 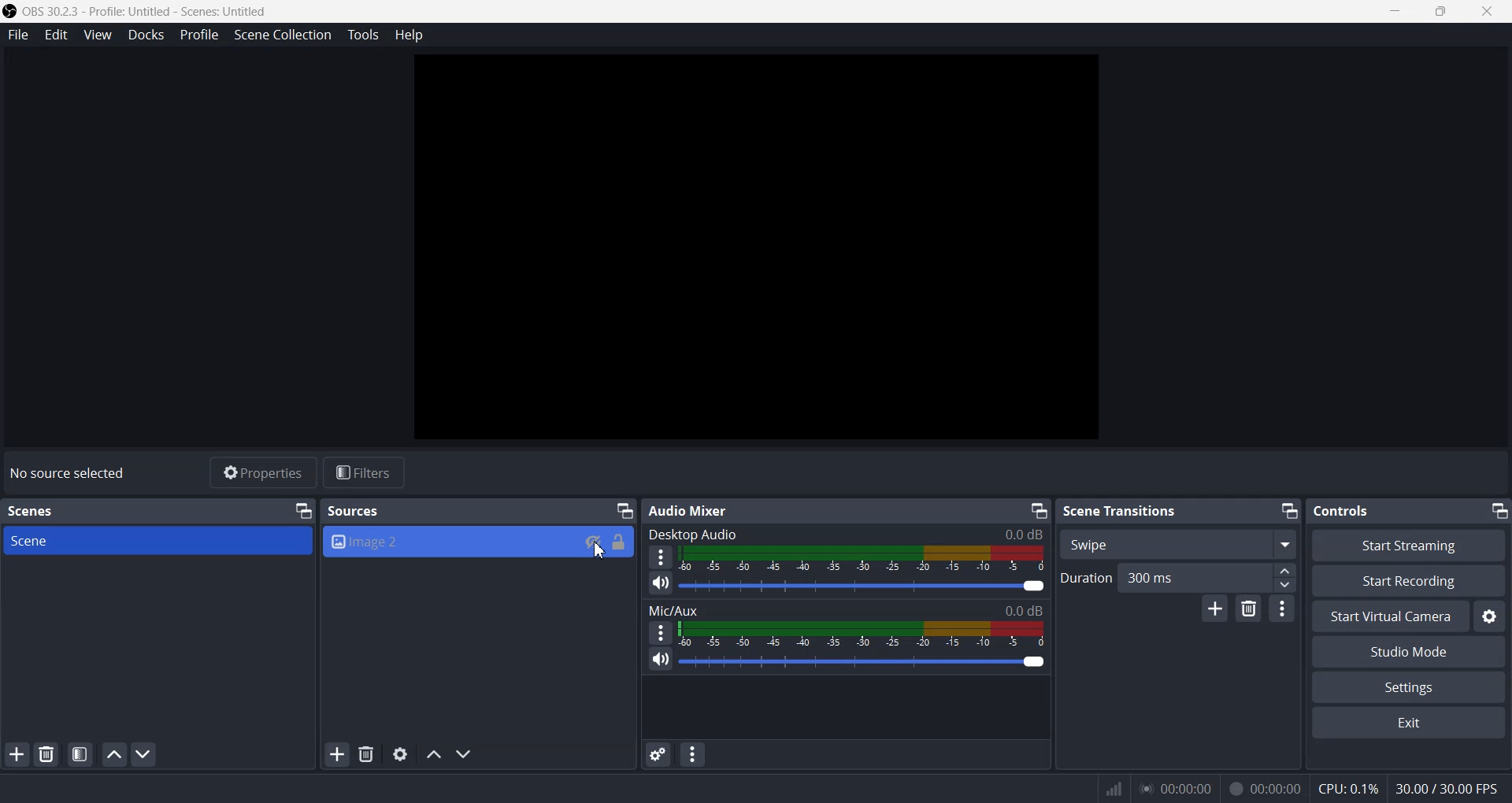 What do you see at coordinates (463, 754) in the screenshot?
I see `Move source down` at bounding box center [463, 754].